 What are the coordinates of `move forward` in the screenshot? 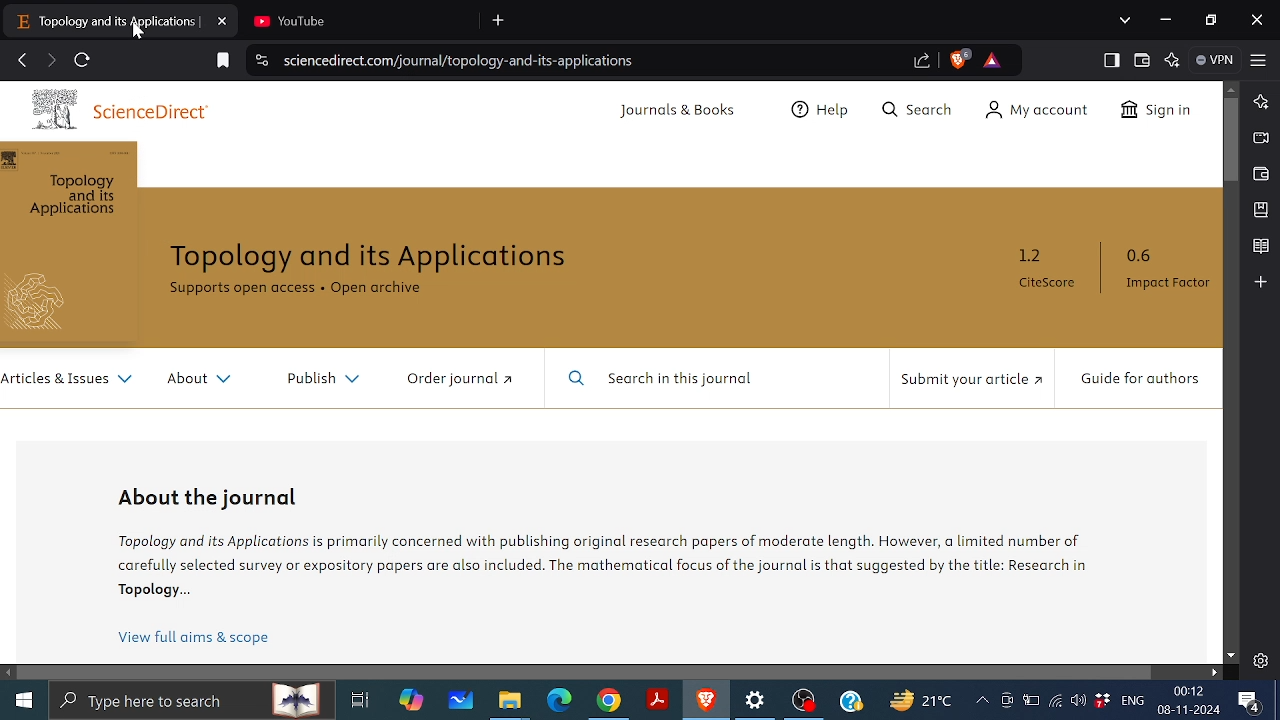 It's located at (50, 60).